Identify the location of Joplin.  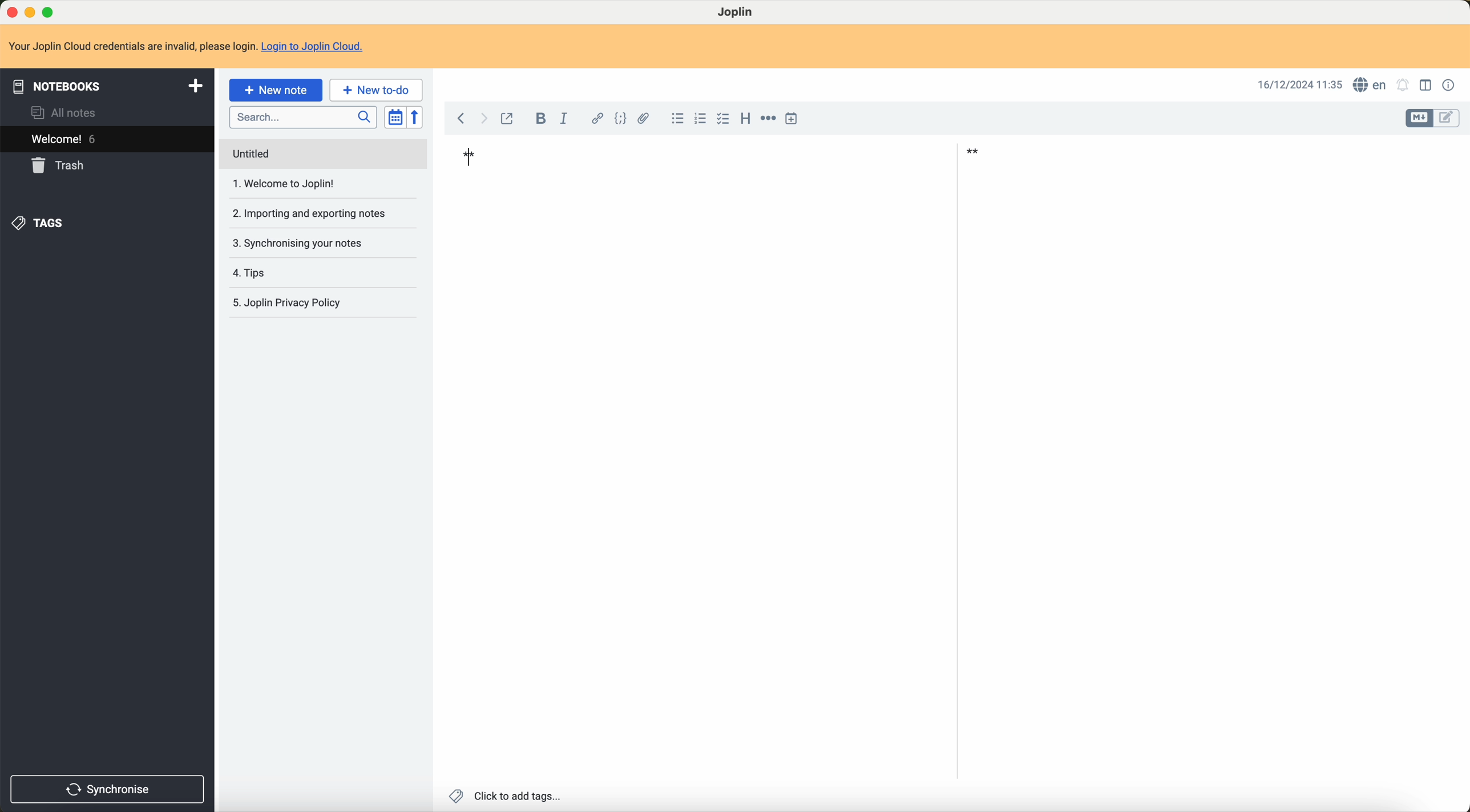
(738, 13).